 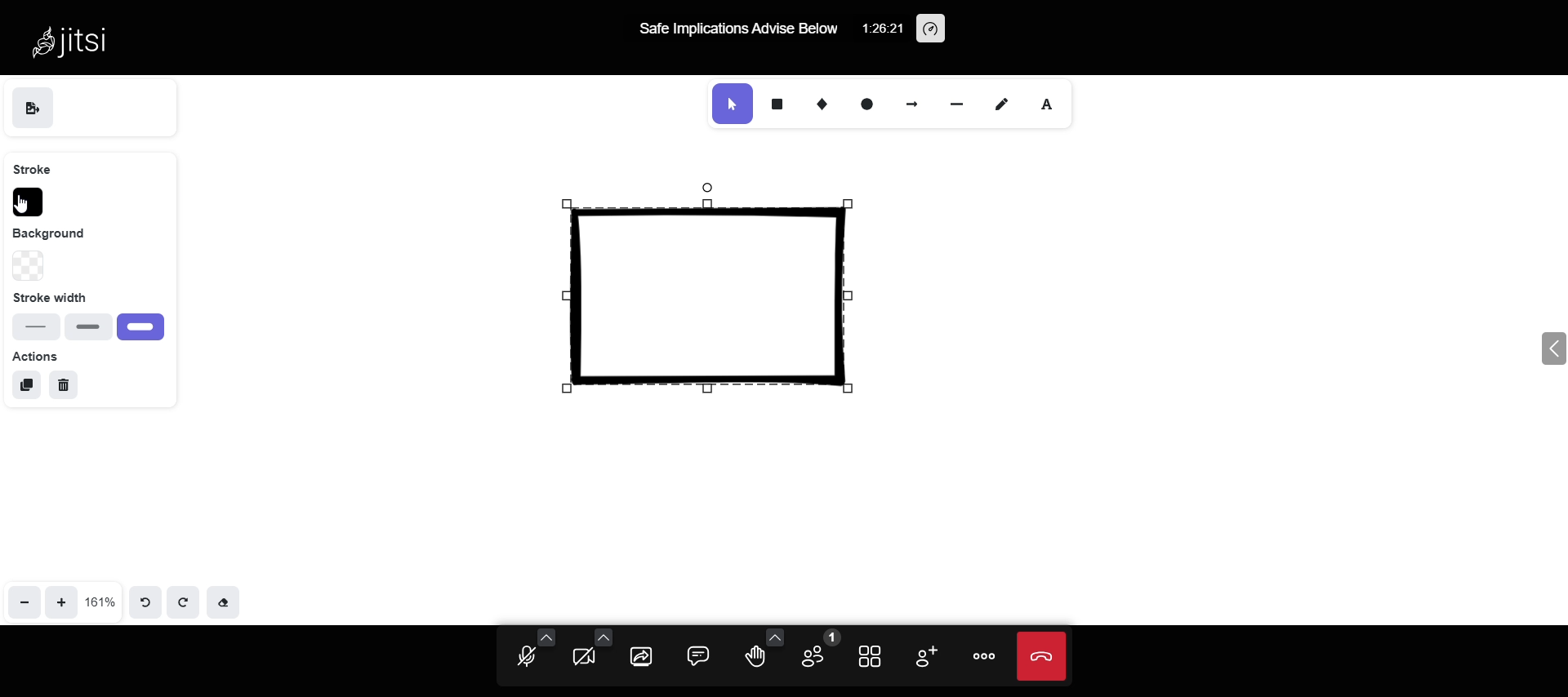 I want to click on Eraser, so click(x=229, y=600).